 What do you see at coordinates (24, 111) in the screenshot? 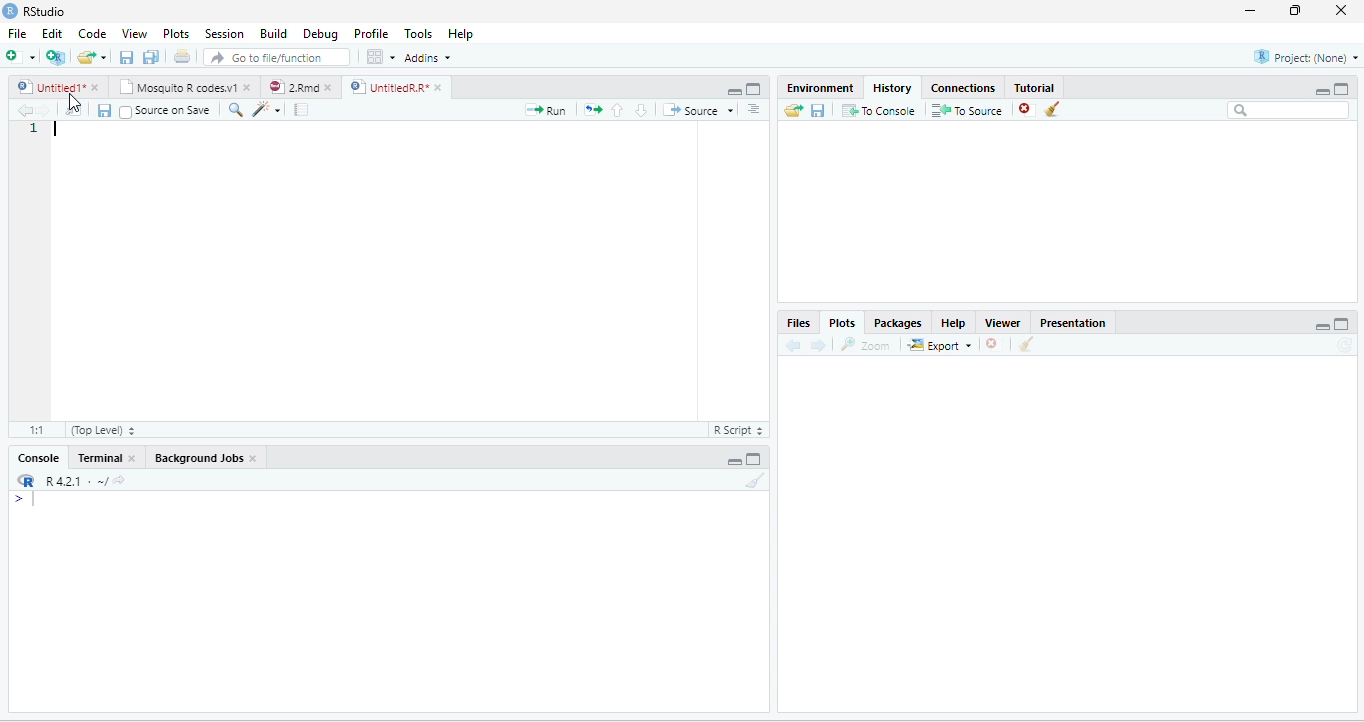
I see `Go back to previous source location` at bounding box center [24, 111].